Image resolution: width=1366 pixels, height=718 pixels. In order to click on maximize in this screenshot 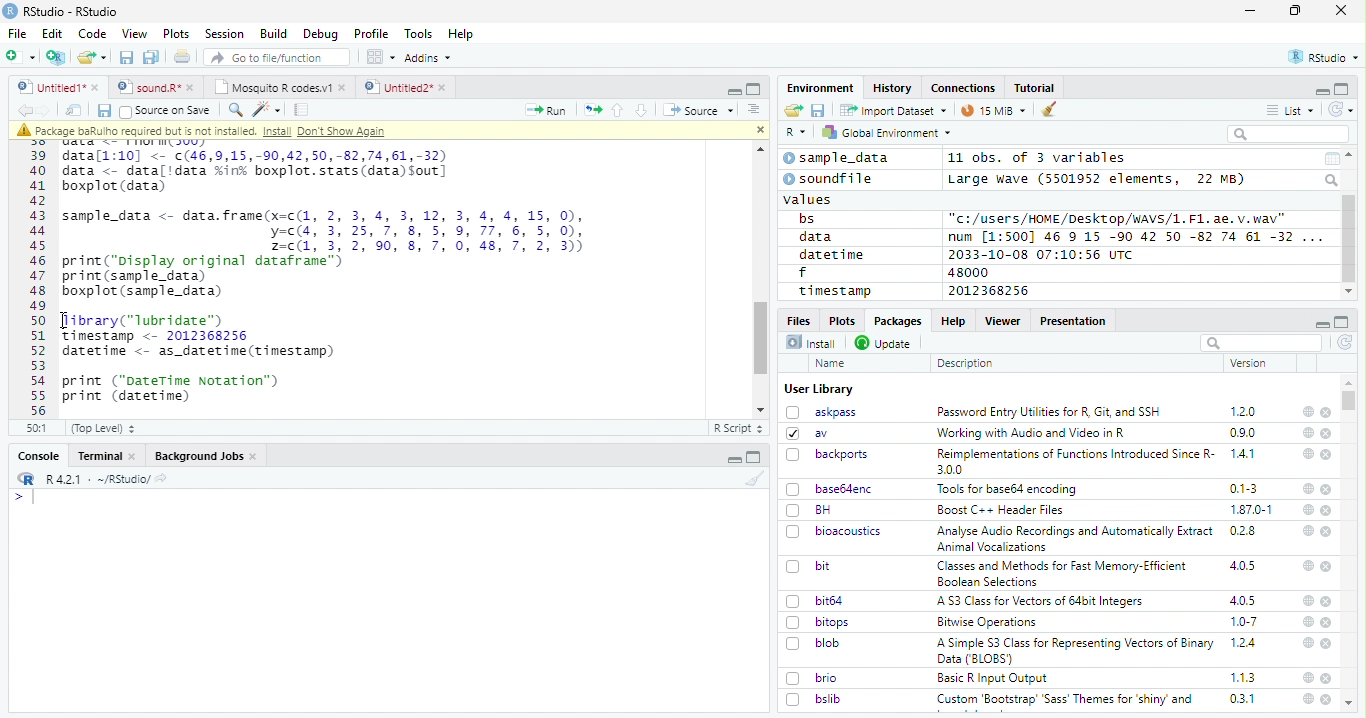, I will do `click(1295, 11)`.